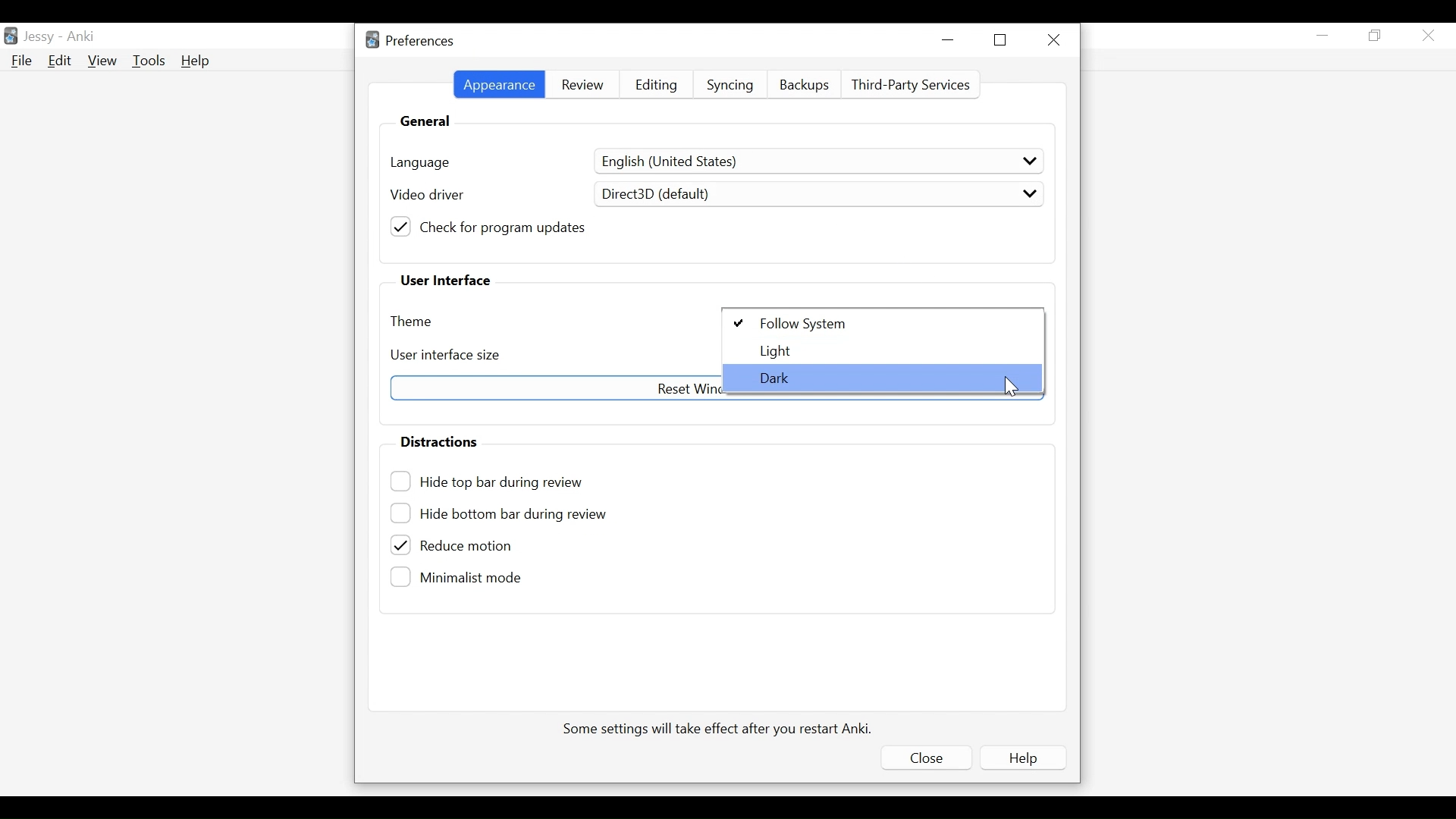  Describe the element at coordinates (1323, 35) in the screenshot. I see `minimize` at that location.